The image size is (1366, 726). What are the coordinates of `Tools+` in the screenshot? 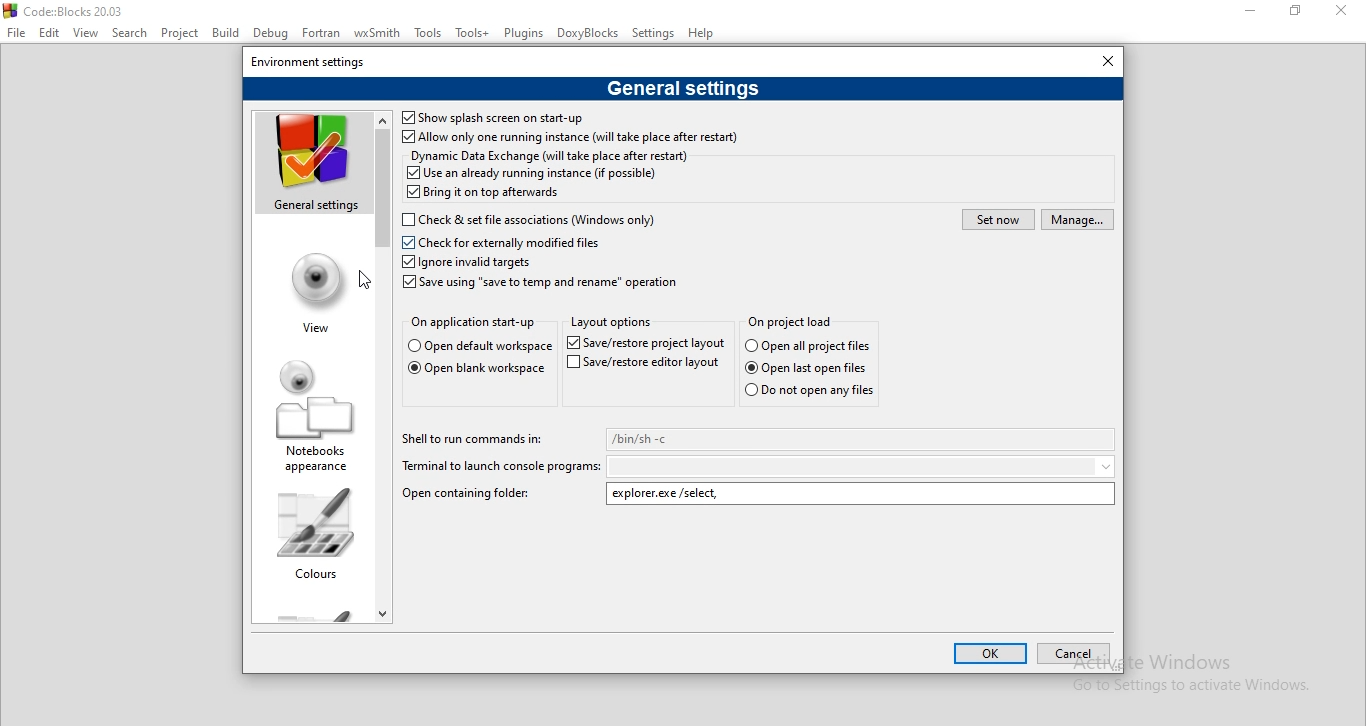 It's located at (473, 34).